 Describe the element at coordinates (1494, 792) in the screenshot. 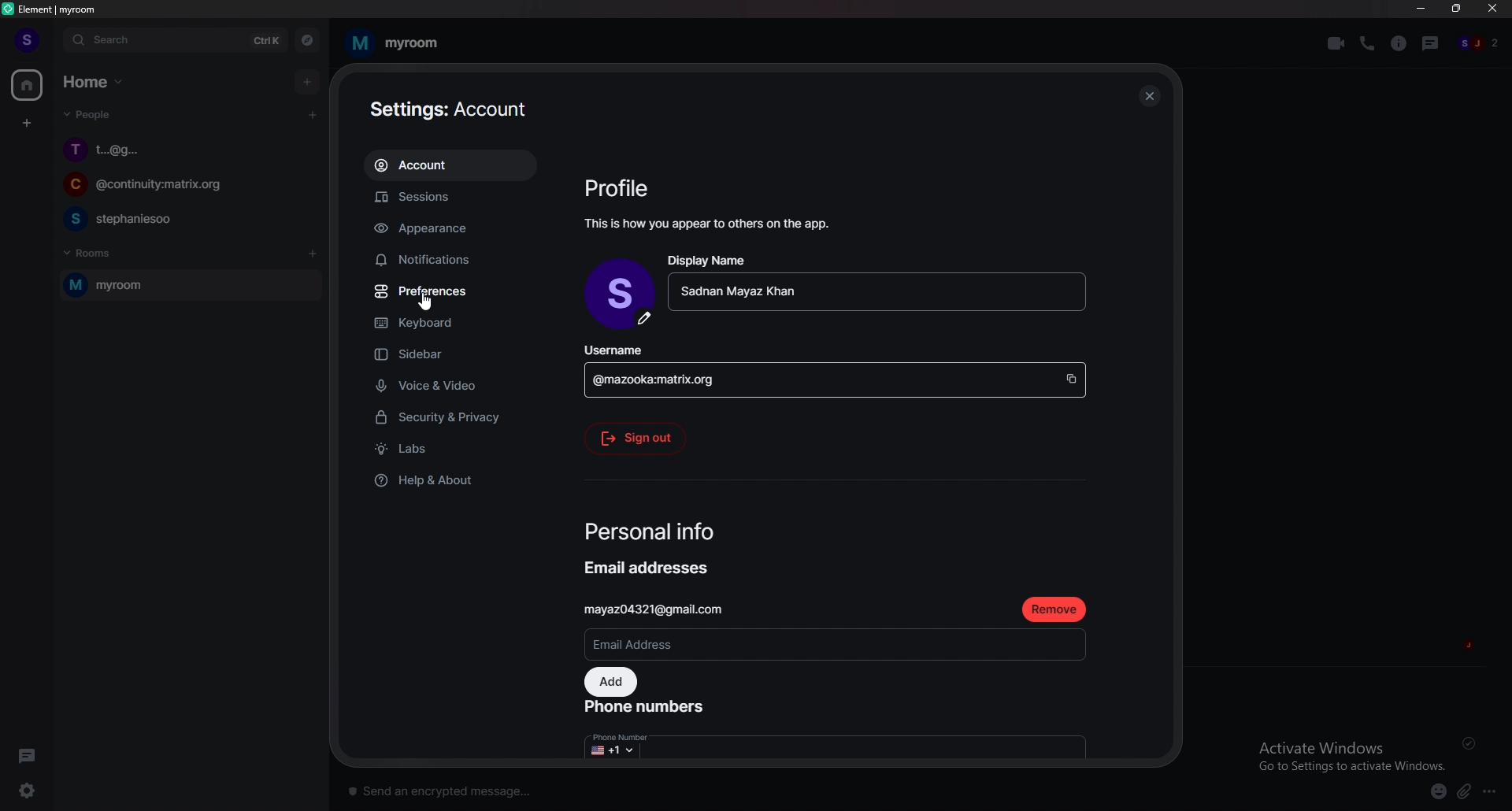

I see `more options` at that location.